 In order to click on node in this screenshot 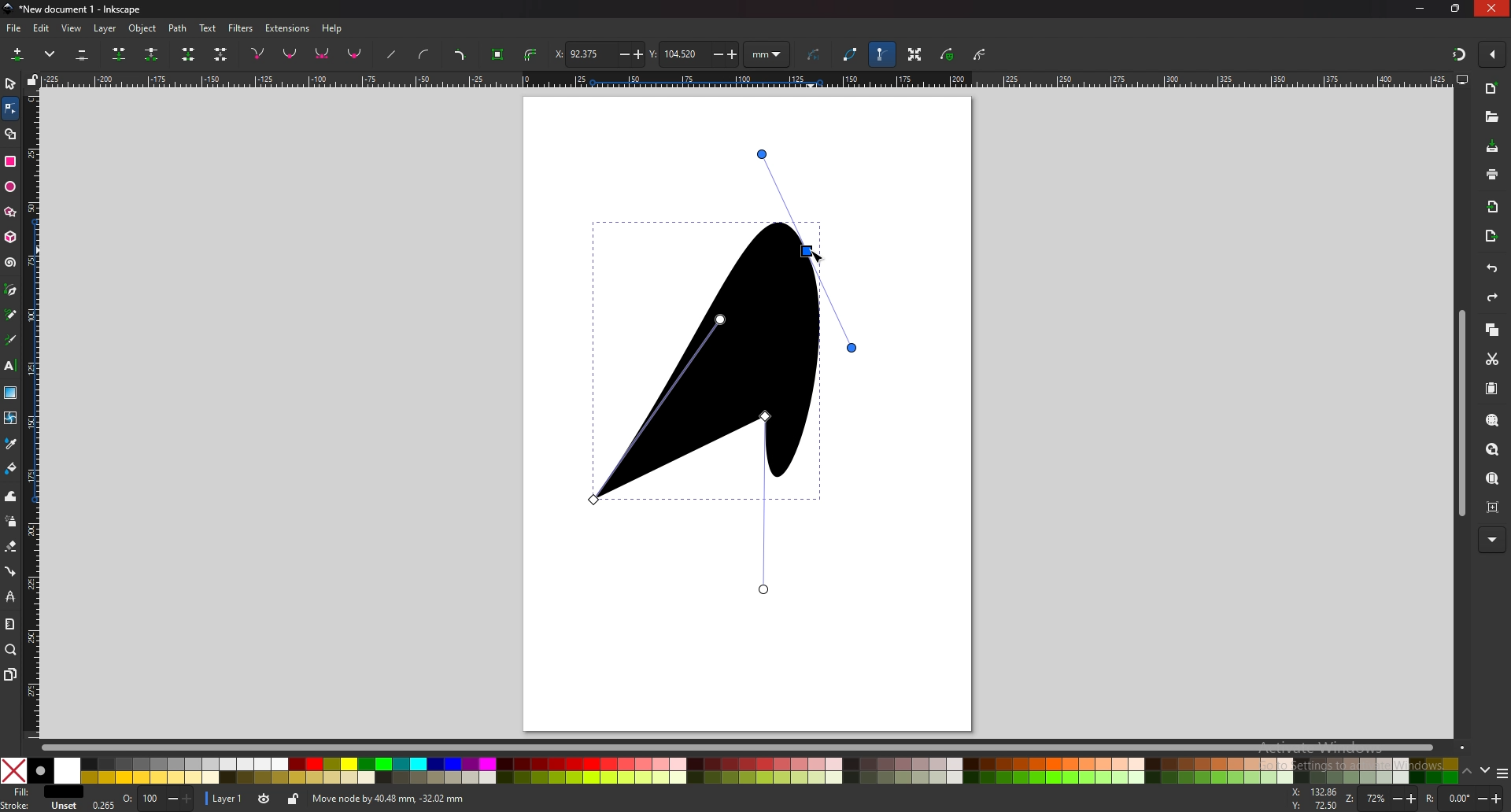, I will do `click(9, 108)`.